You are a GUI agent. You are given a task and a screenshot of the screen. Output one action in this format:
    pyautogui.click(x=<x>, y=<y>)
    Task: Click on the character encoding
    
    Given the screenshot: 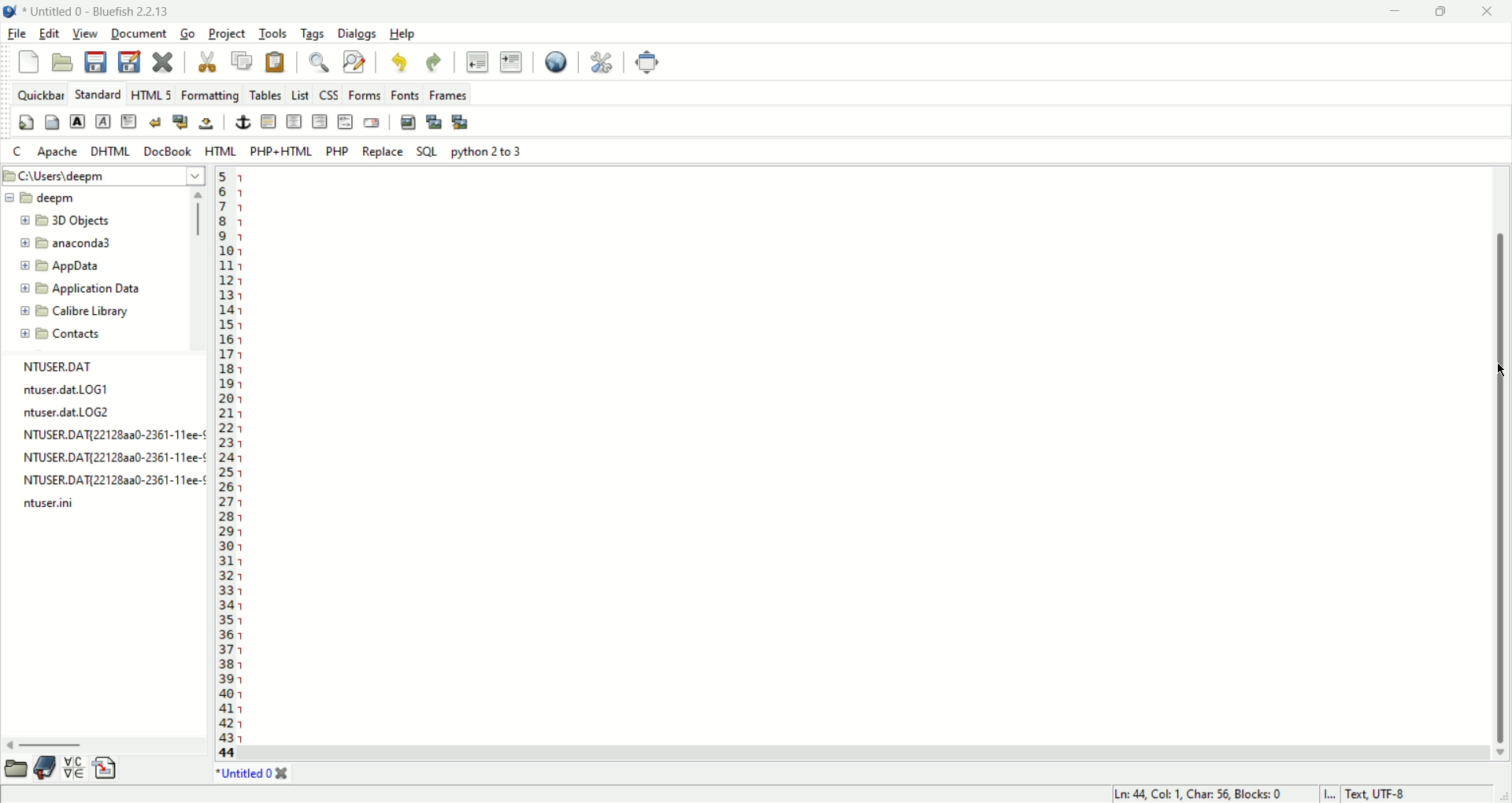 What is the action you would take?
    pyautogui.click(x=1411, y=794)
    